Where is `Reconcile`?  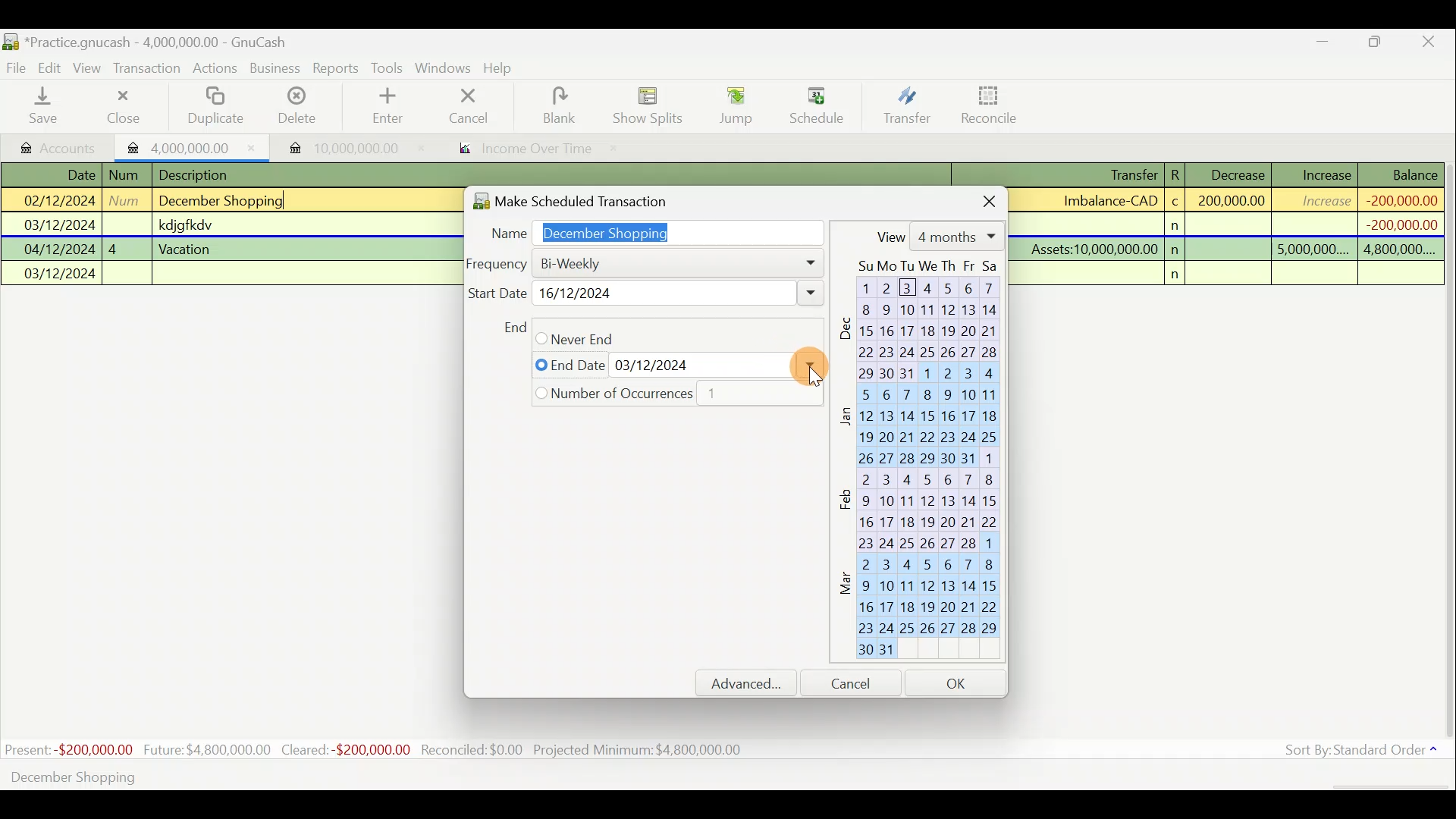 Reconcile is located at coordinates (995, 104).